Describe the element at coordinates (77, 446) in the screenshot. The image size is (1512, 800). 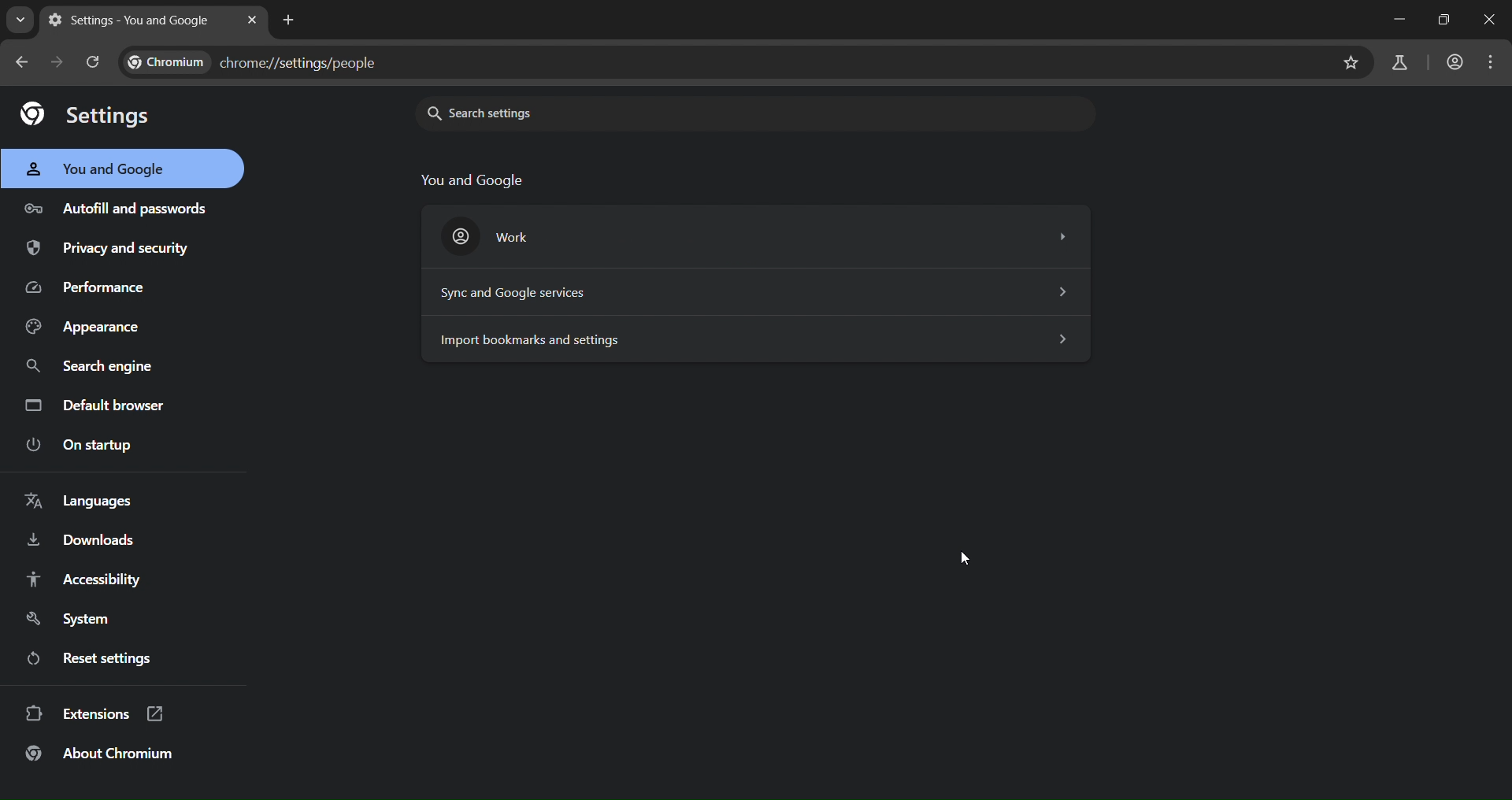
I see `on startup` at that location.